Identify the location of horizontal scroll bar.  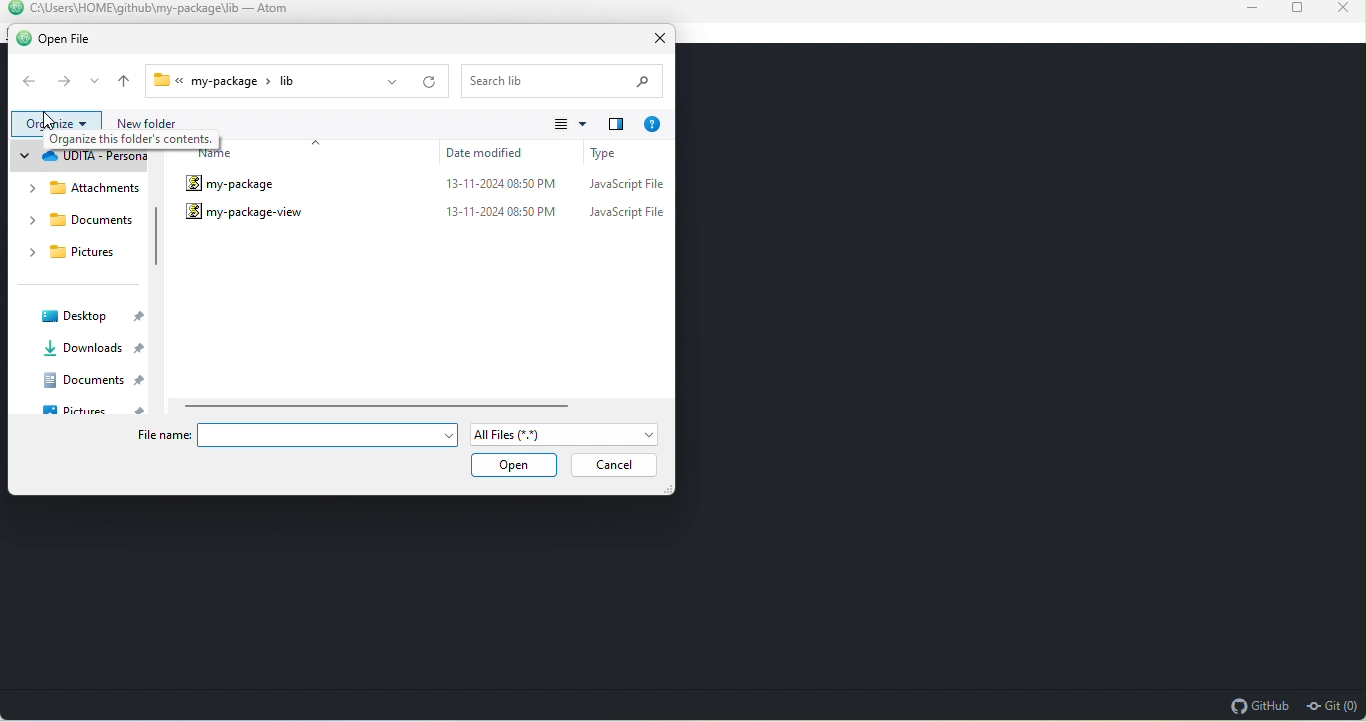
(386, 406).